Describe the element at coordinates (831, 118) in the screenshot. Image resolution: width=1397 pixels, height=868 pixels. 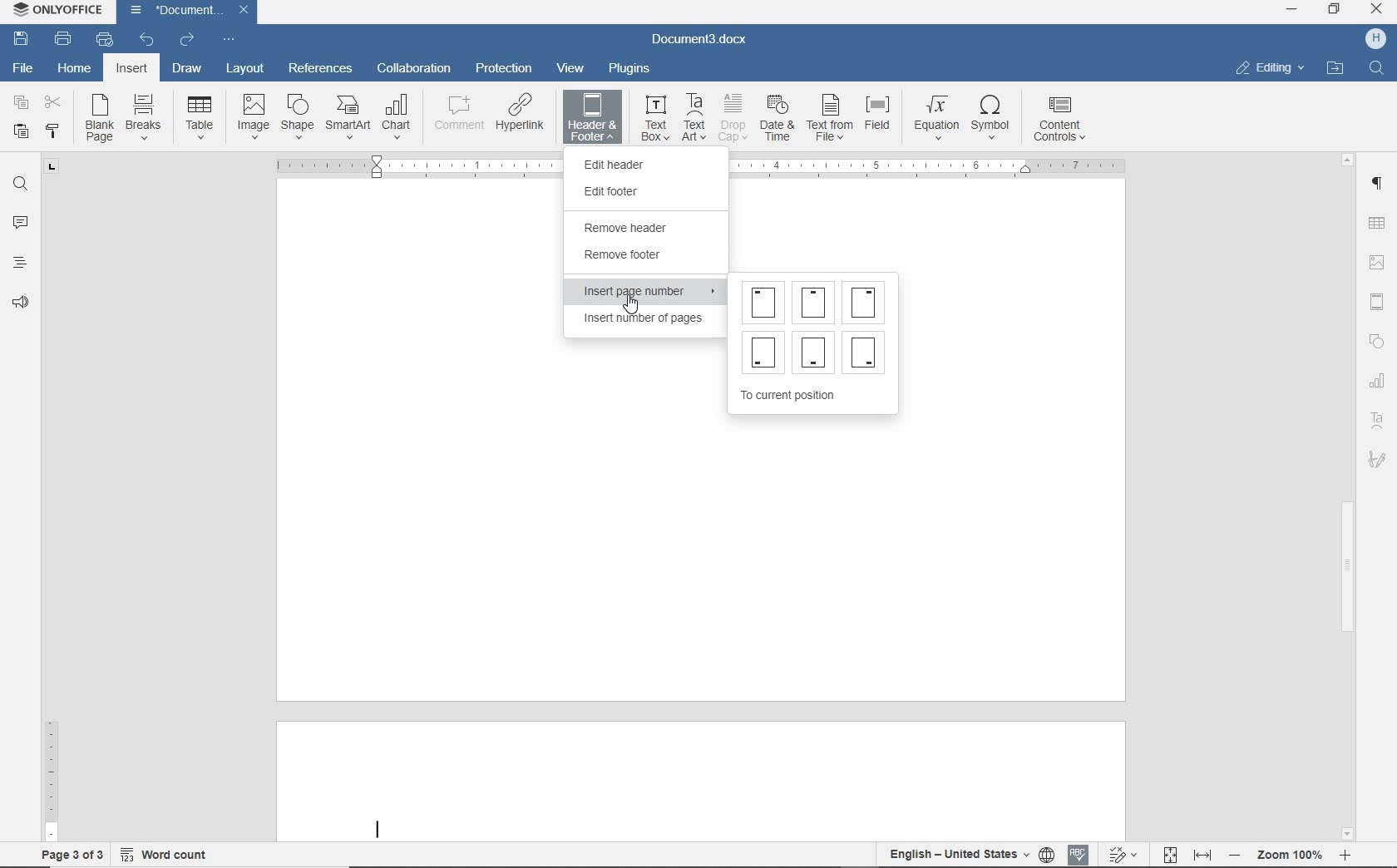
I see `TEXT FROM FILE` at that location.